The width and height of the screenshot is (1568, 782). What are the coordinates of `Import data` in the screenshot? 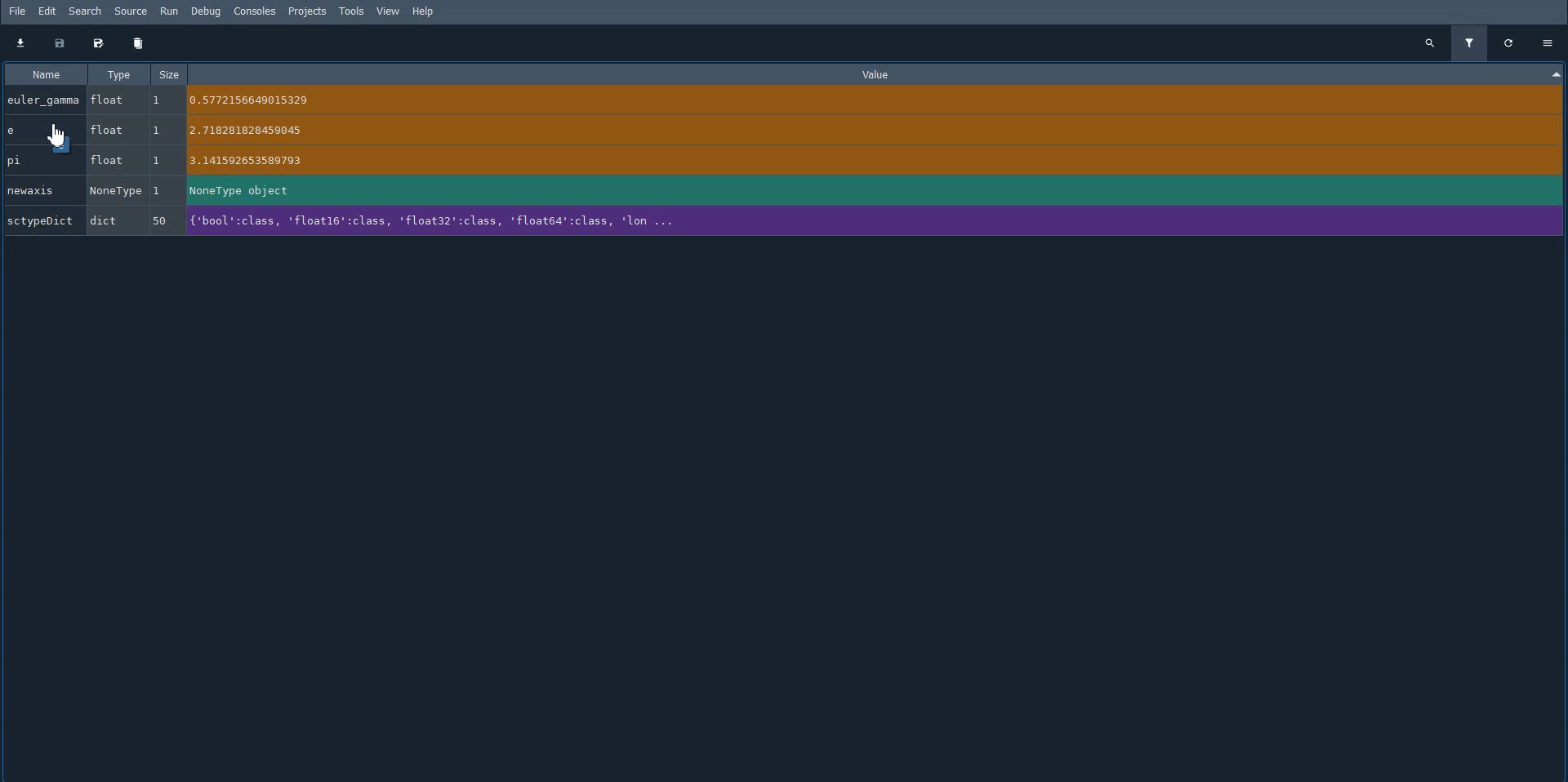 It's located at (21, 43).